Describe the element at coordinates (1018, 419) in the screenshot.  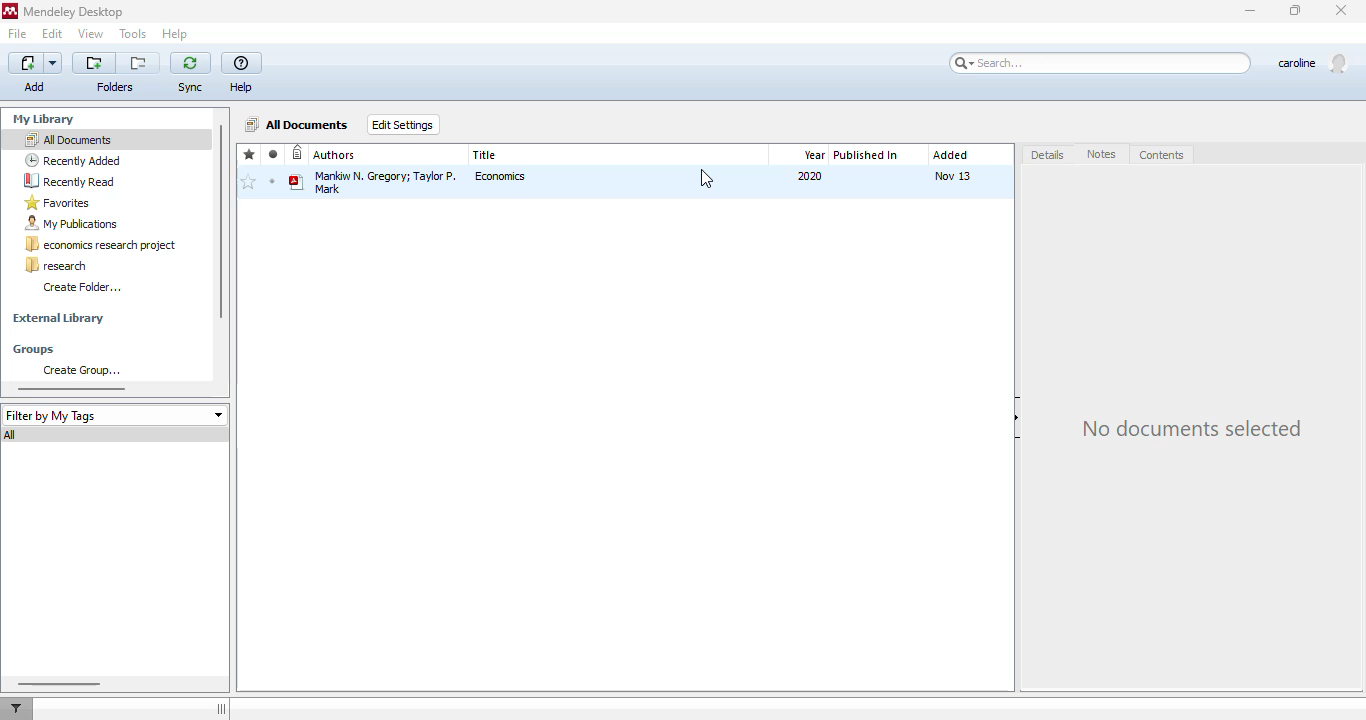
I see `hide document details` at that location.